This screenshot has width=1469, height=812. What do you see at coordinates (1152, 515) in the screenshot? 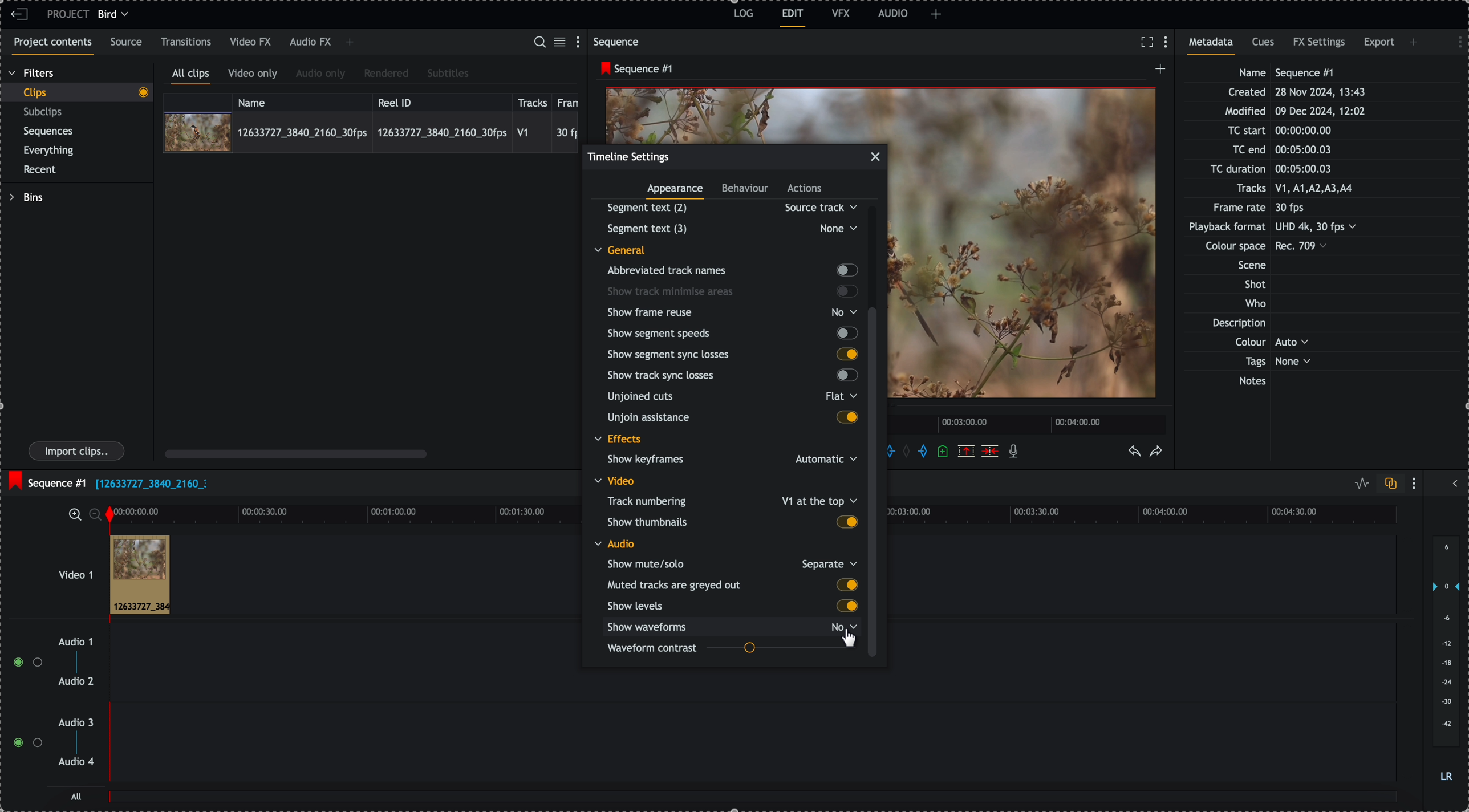
I see `timeline` at bounding box center [1152, 515].